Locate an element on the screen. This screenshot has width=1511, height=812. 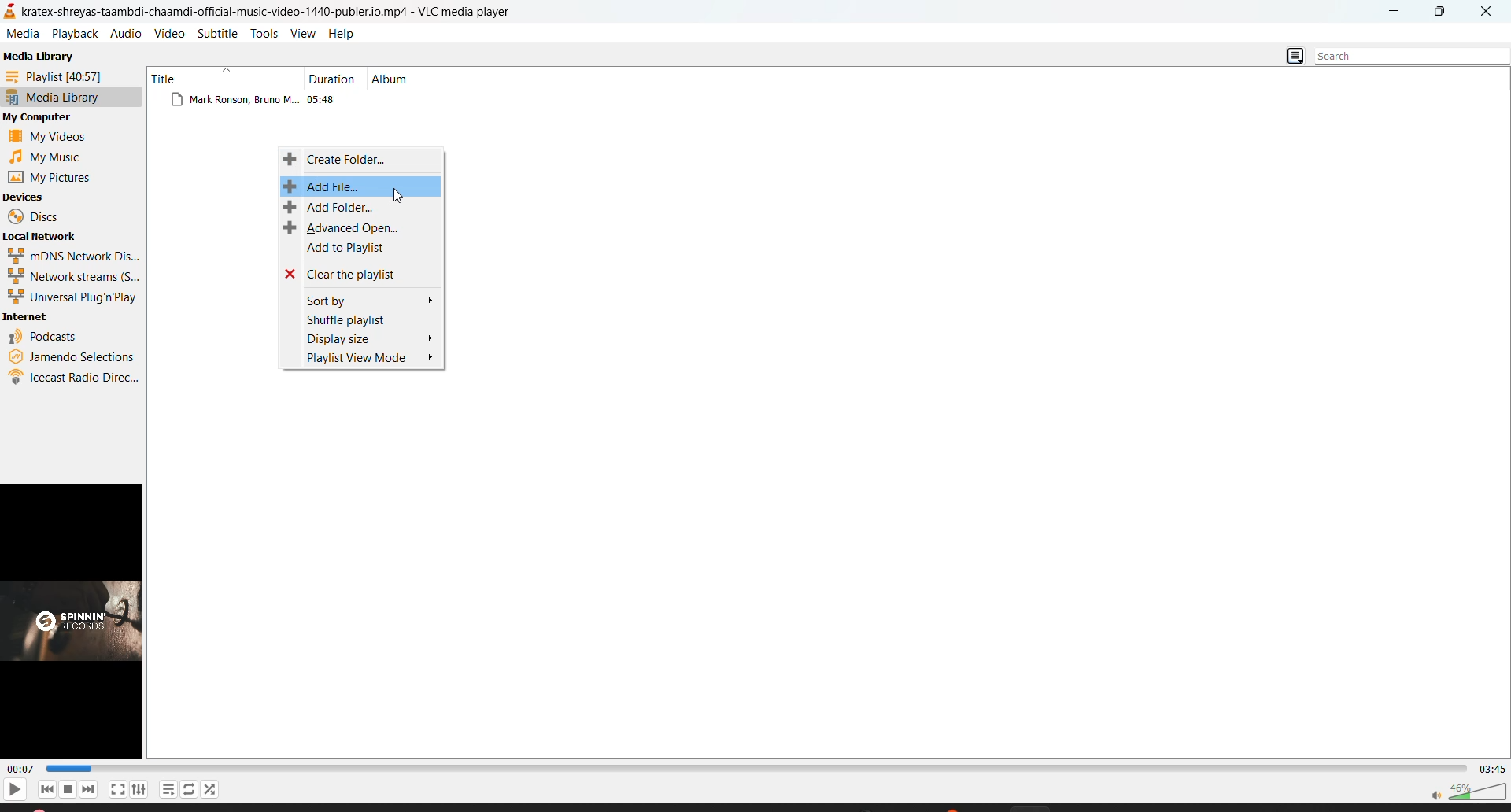
sort by is located at coordinates (368, 300).